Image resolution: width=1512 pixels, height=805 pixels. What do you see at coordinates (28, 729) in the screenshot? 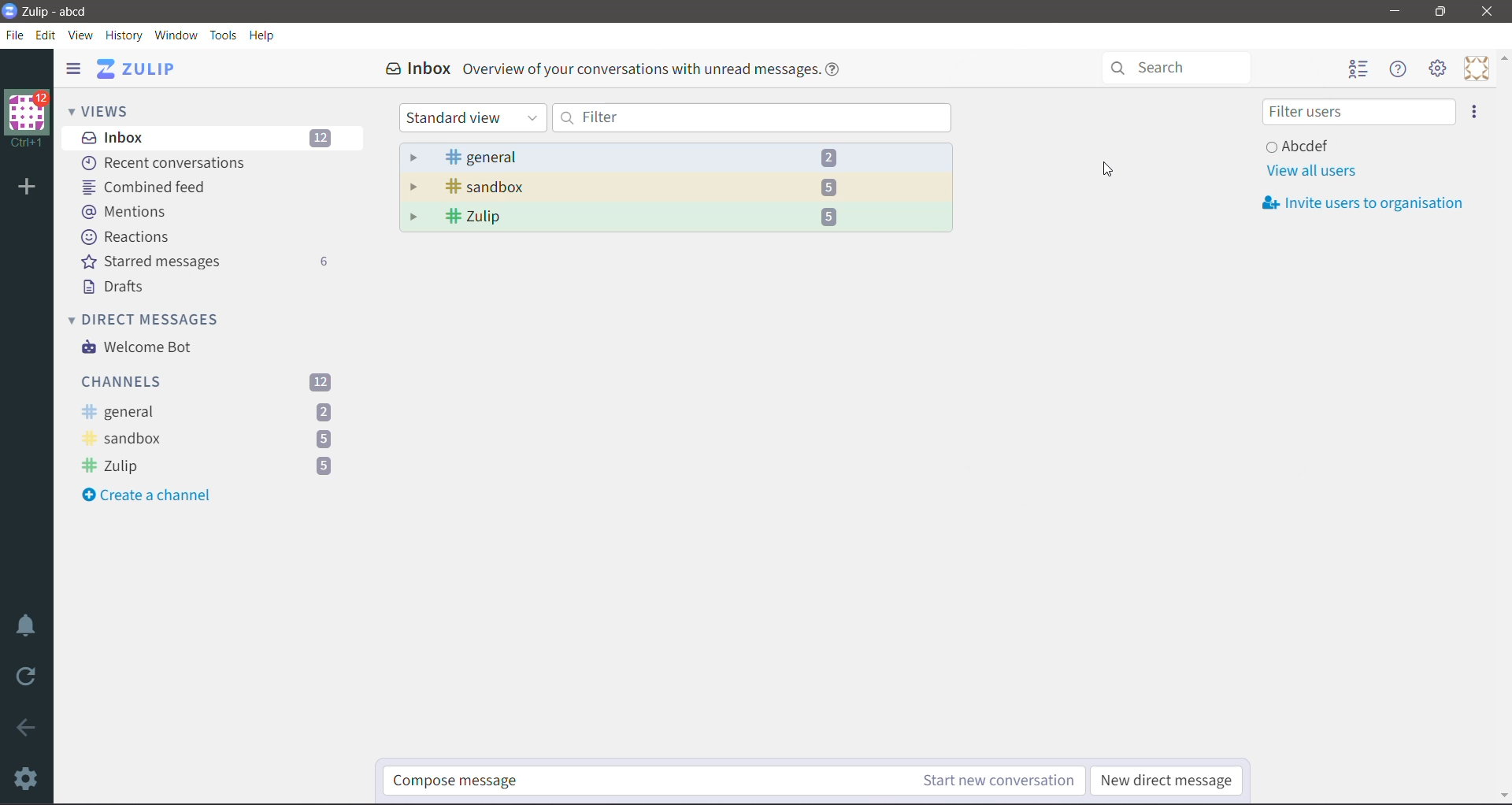
I see `Go back` at bounding box center [28, 729].